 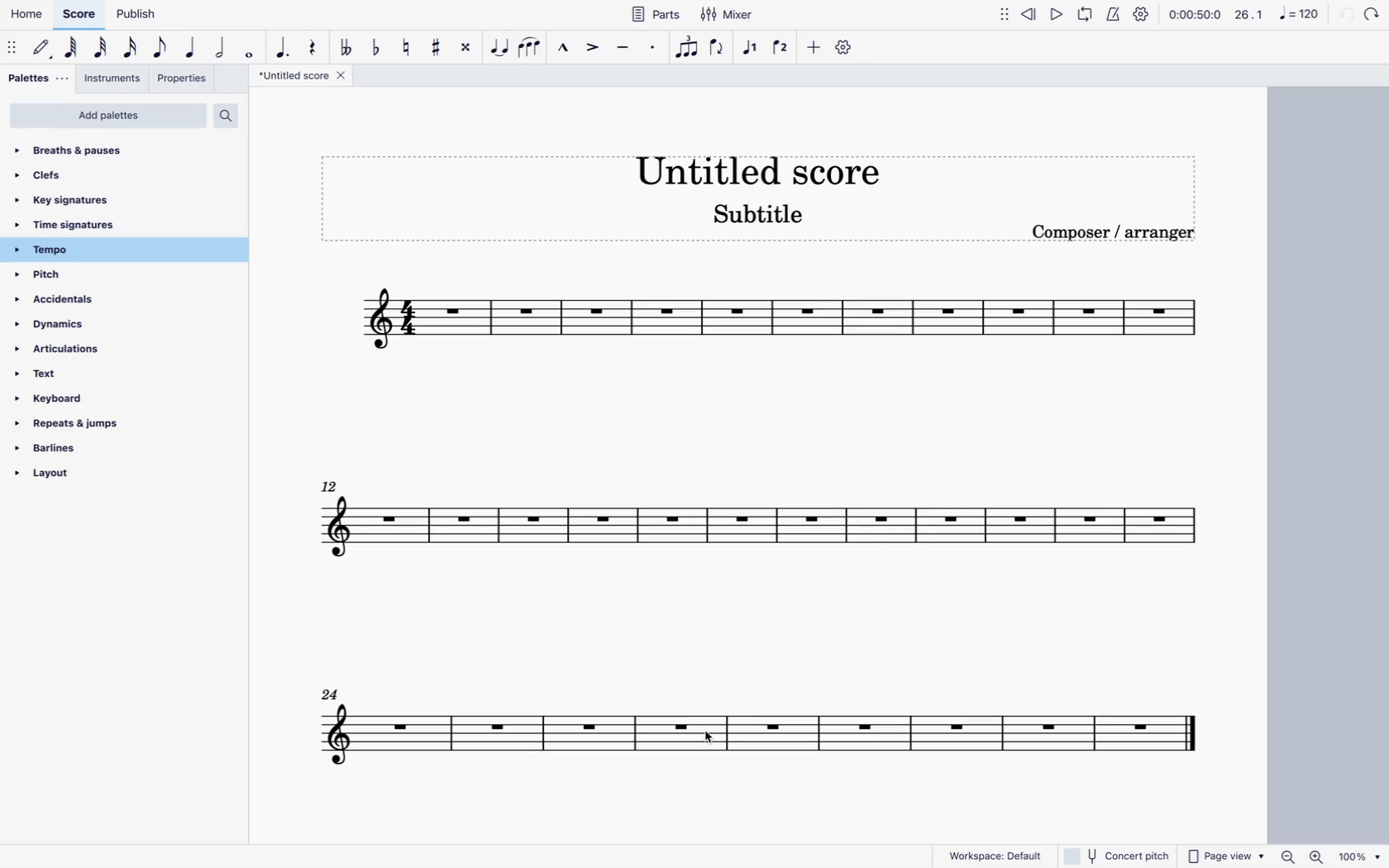 What do you see at coordinates (846, 49) in the screenshot?
I see `settings` at bounding box center [846, 49].